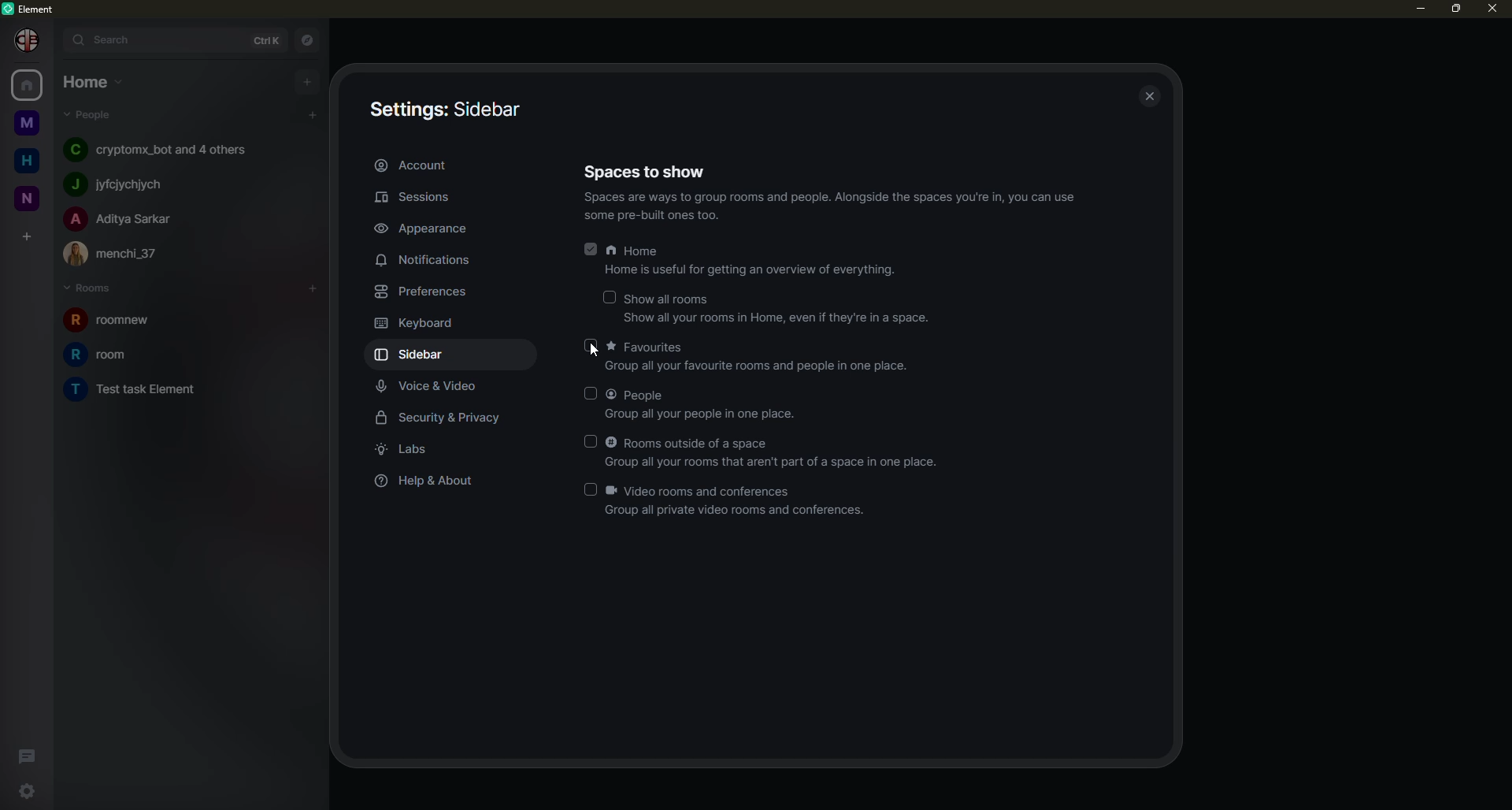 Image resolution: width=1512 pixels, height=810 pixels. I want to click on show all rooms, so click(777, 310).